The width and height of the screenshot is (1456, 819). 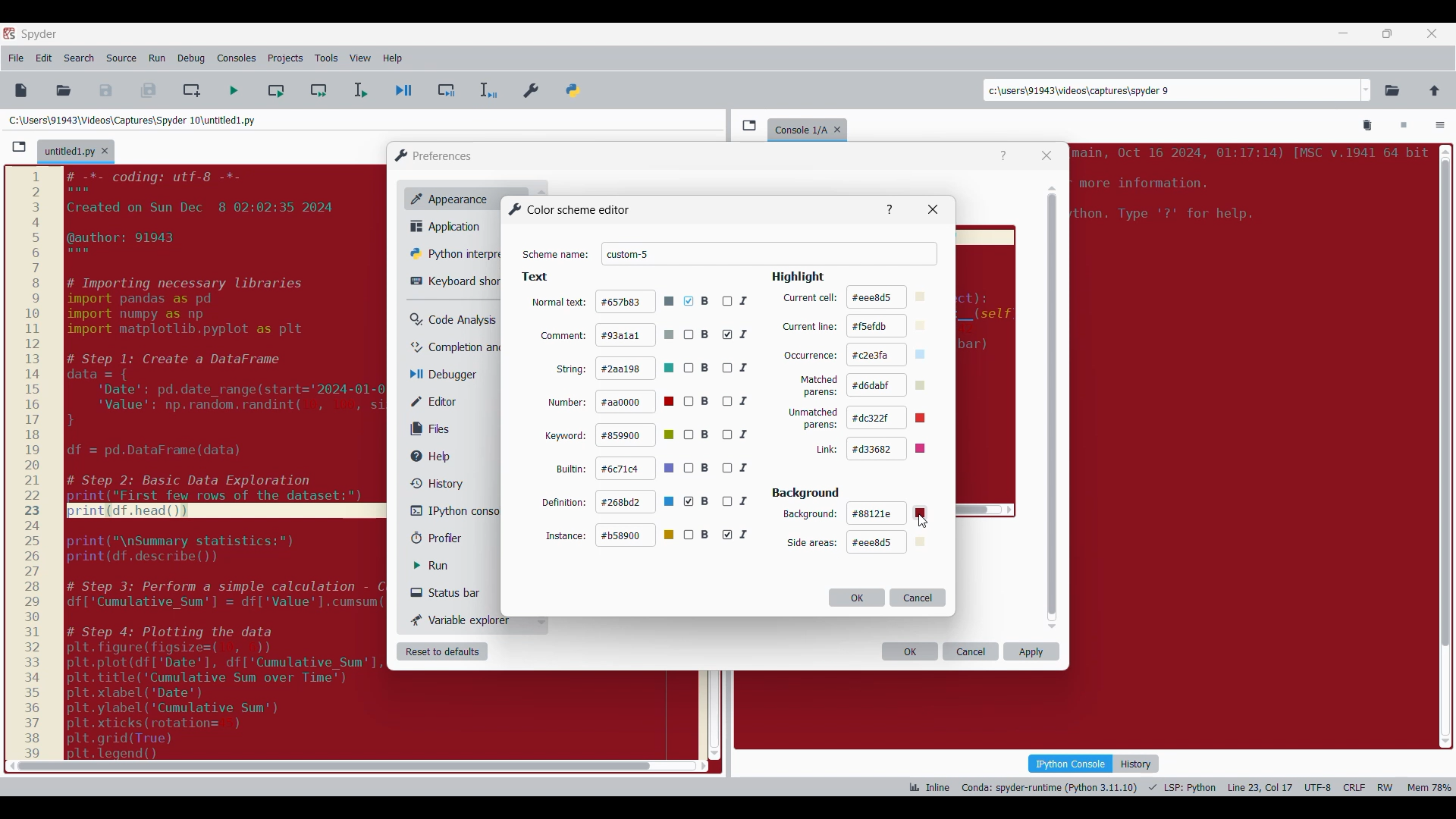 What do you see at coordinates (573, 369) in the screenshot?
I see `string` at bounding box center [573, 369].